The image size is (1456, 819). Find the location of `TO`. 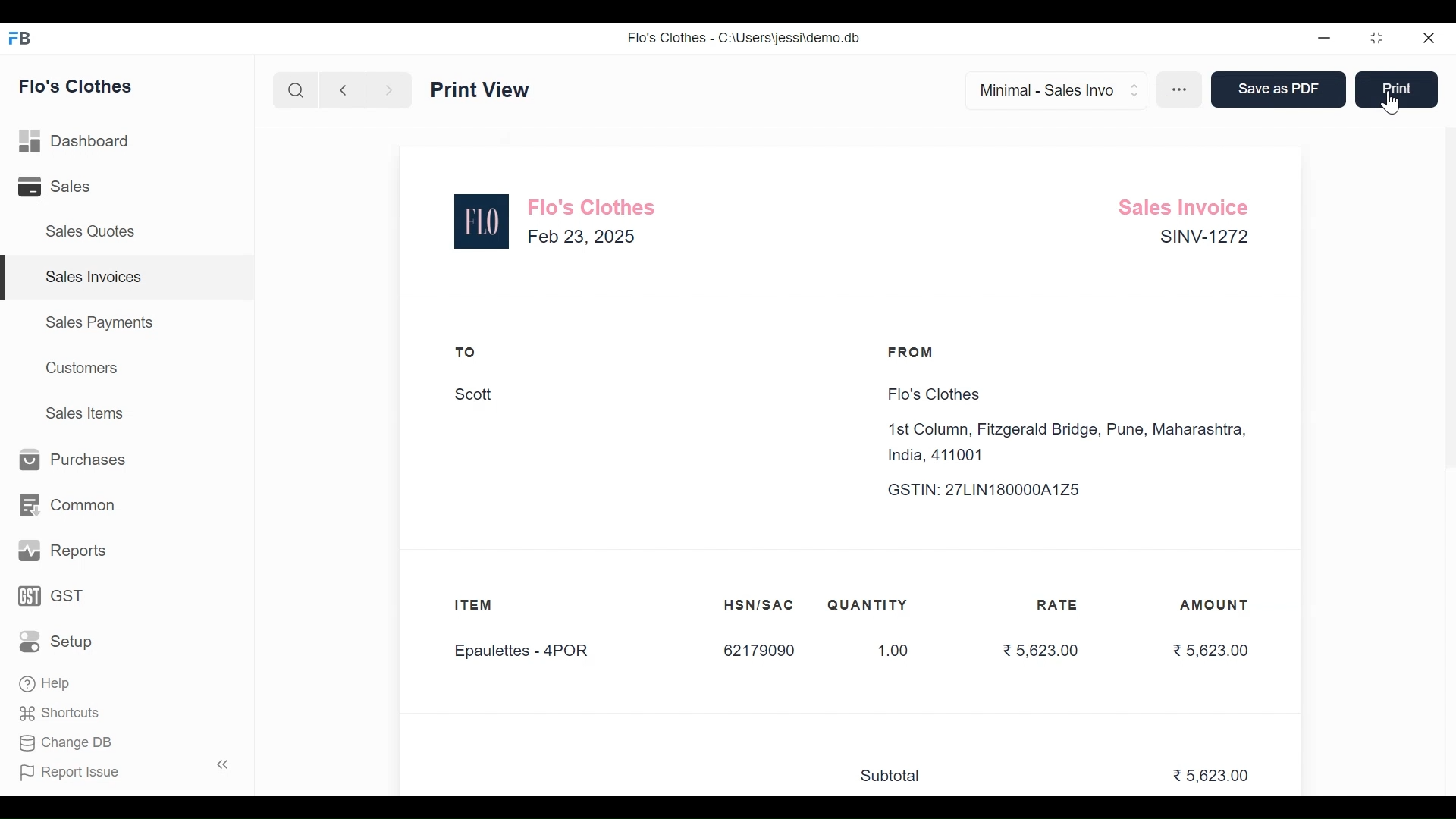

TO is located at coordinates (466, 352).